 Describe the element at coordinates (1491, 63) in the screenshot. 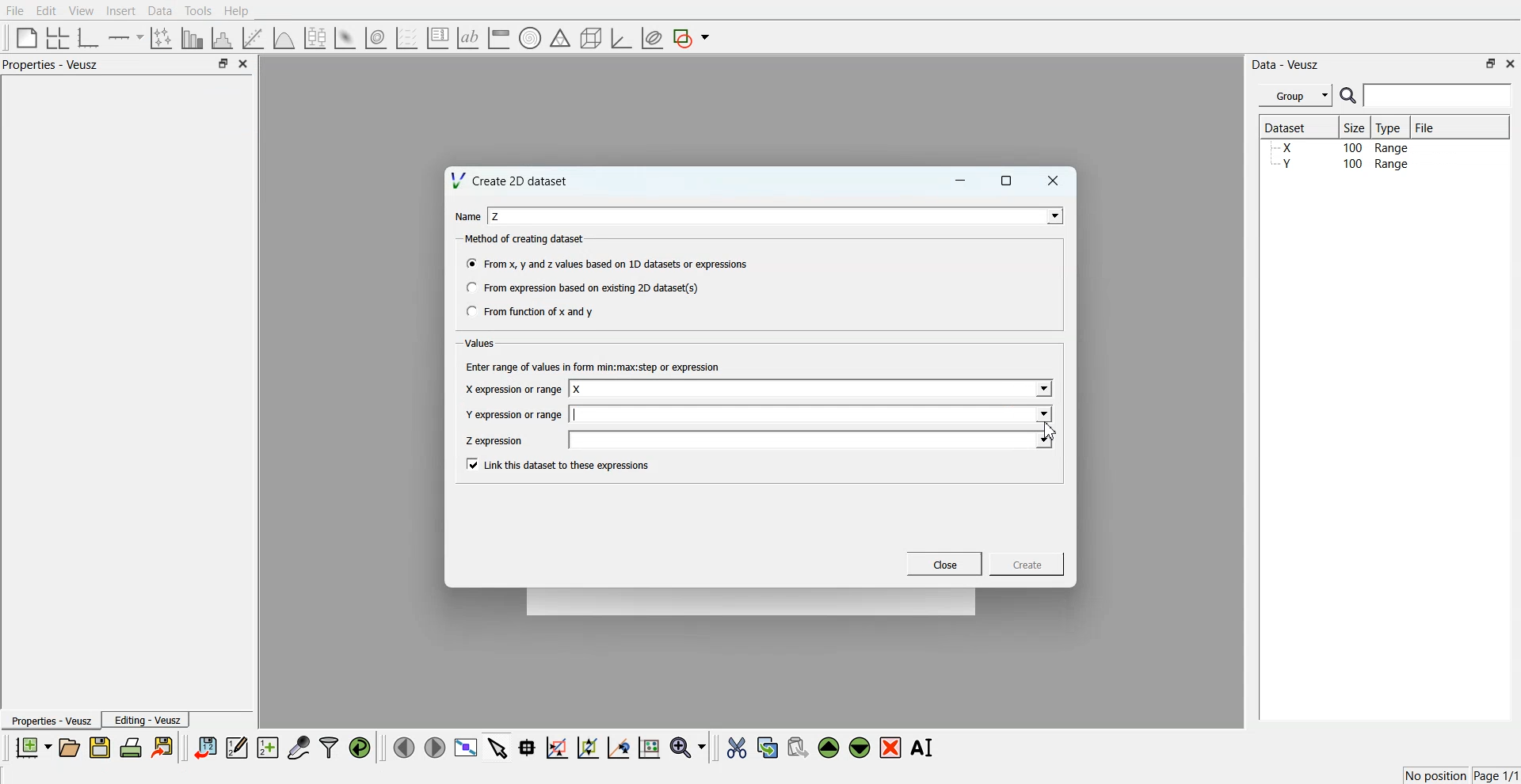

I see `Maximize` at that location.